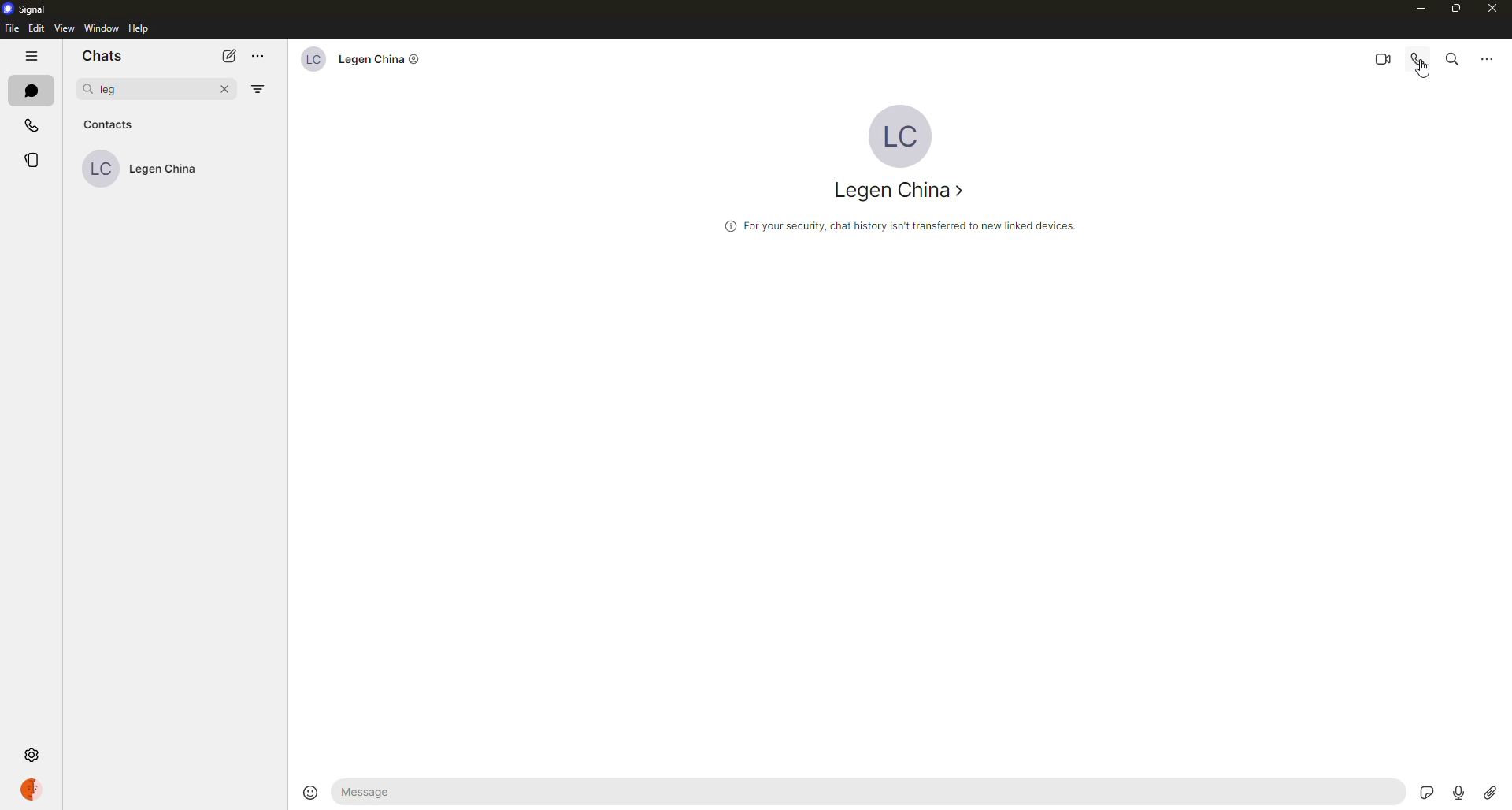 Image resolution: width=1512 pixels, height=810 pixels. Describe the element at coordinates (899, 191) in the screenshot. I see `contact` at that location.